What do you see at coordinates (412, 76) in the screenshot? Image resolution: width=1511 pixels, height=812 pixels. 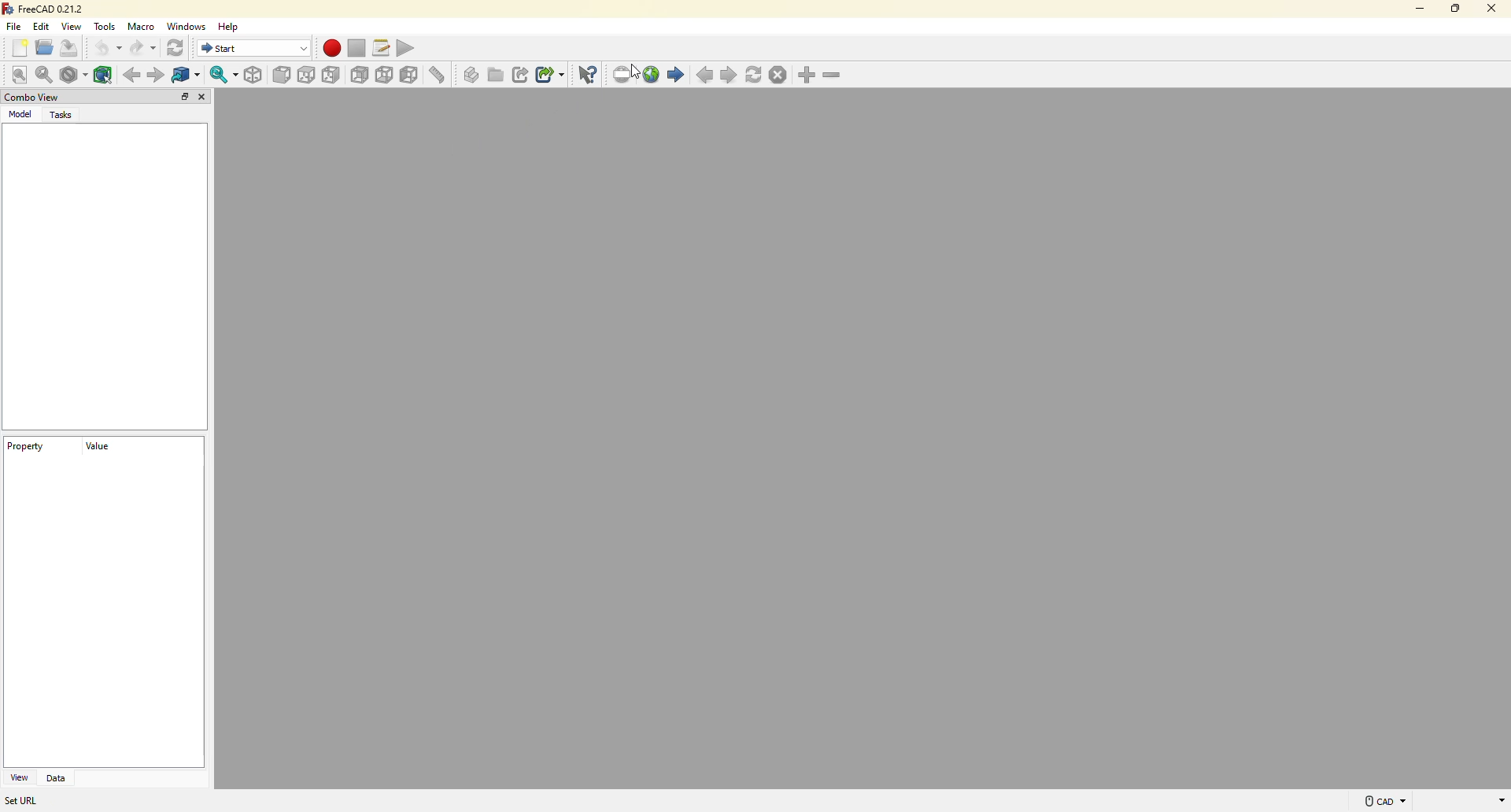 I see `left` at bounding box center [412, 76].